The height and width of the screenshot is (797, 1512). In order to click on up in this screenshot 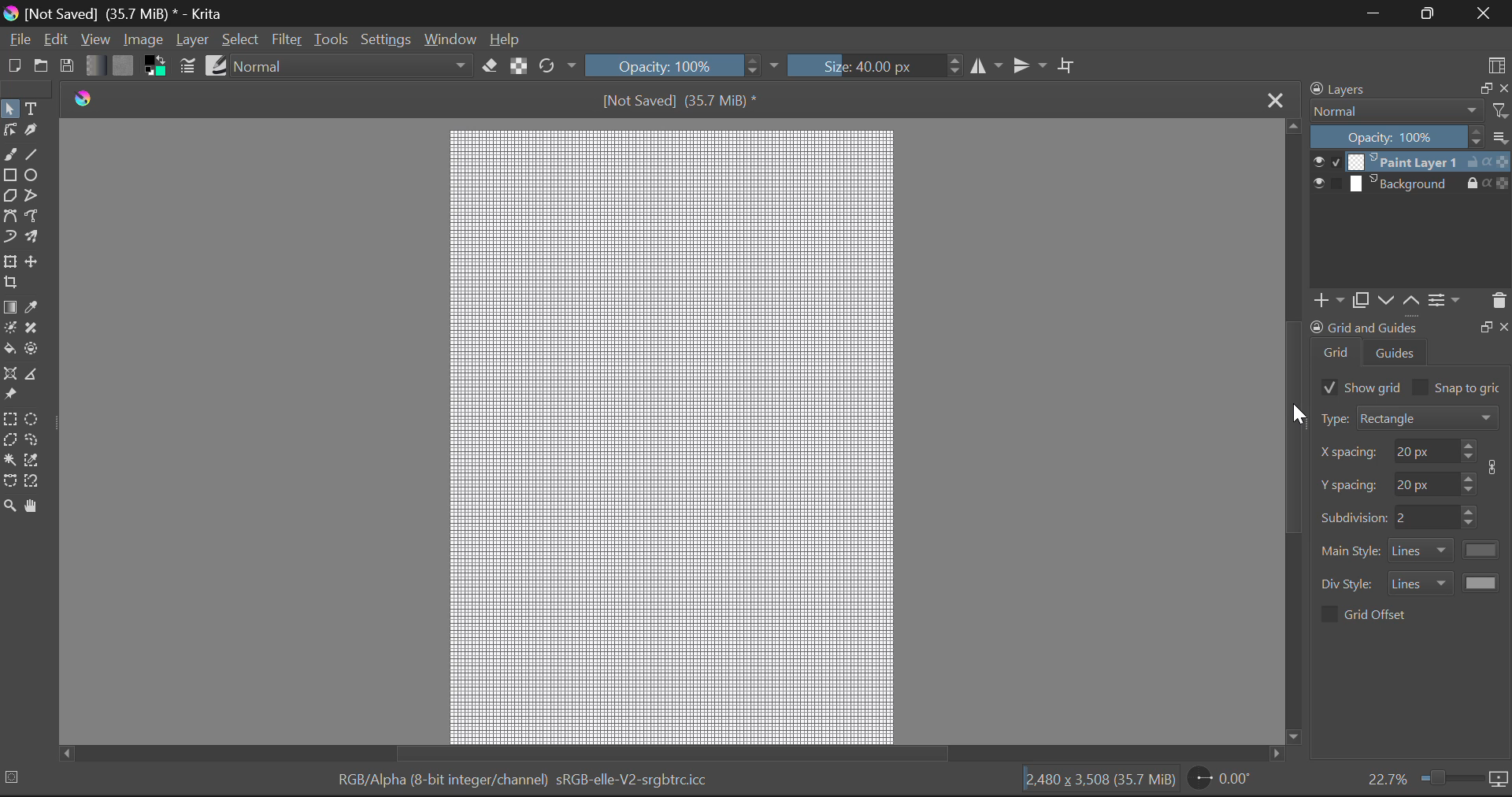, I will do `click(1410, 301)`.